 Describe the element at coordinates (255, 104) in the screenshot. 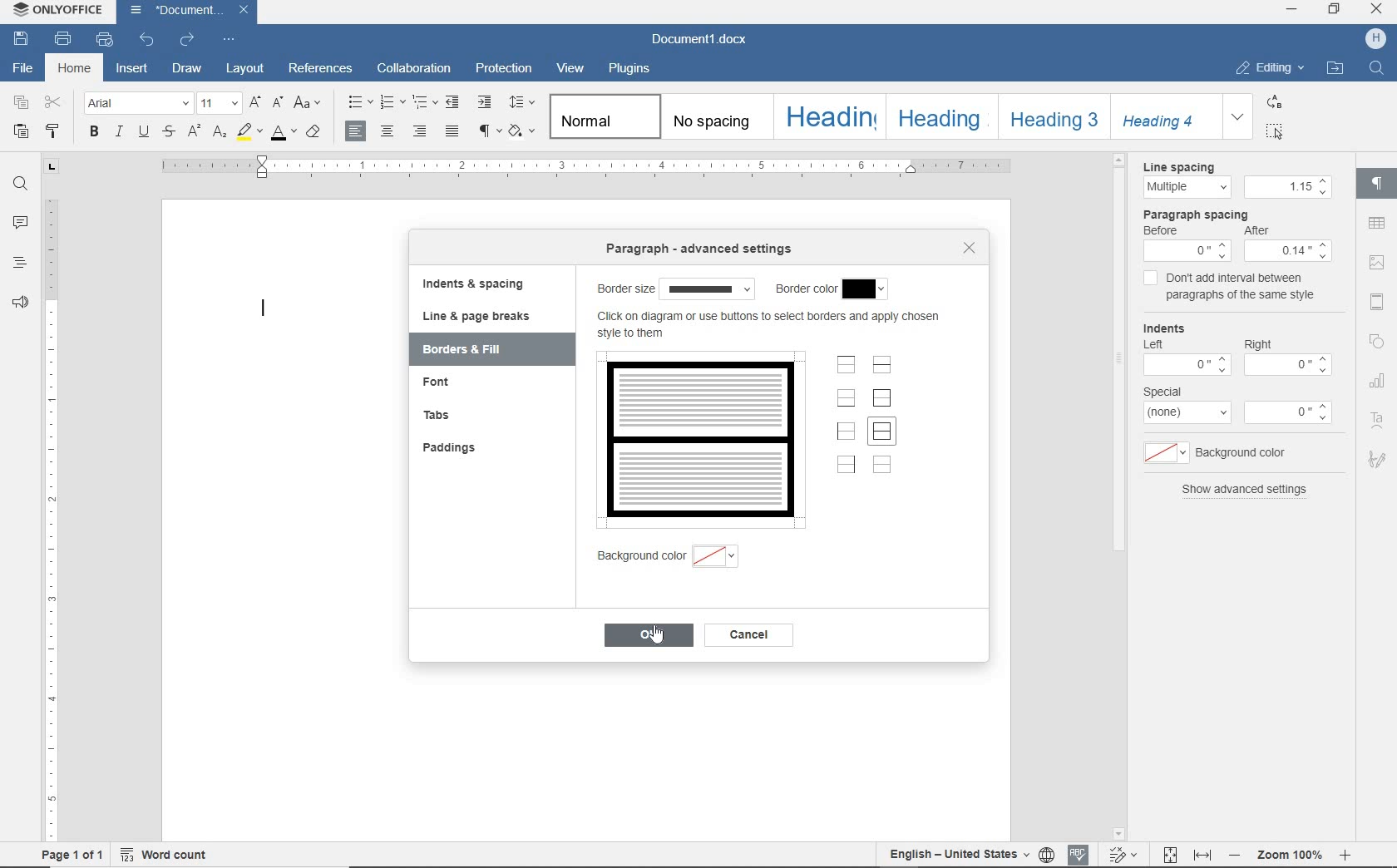

I see `increment font size` at that location.